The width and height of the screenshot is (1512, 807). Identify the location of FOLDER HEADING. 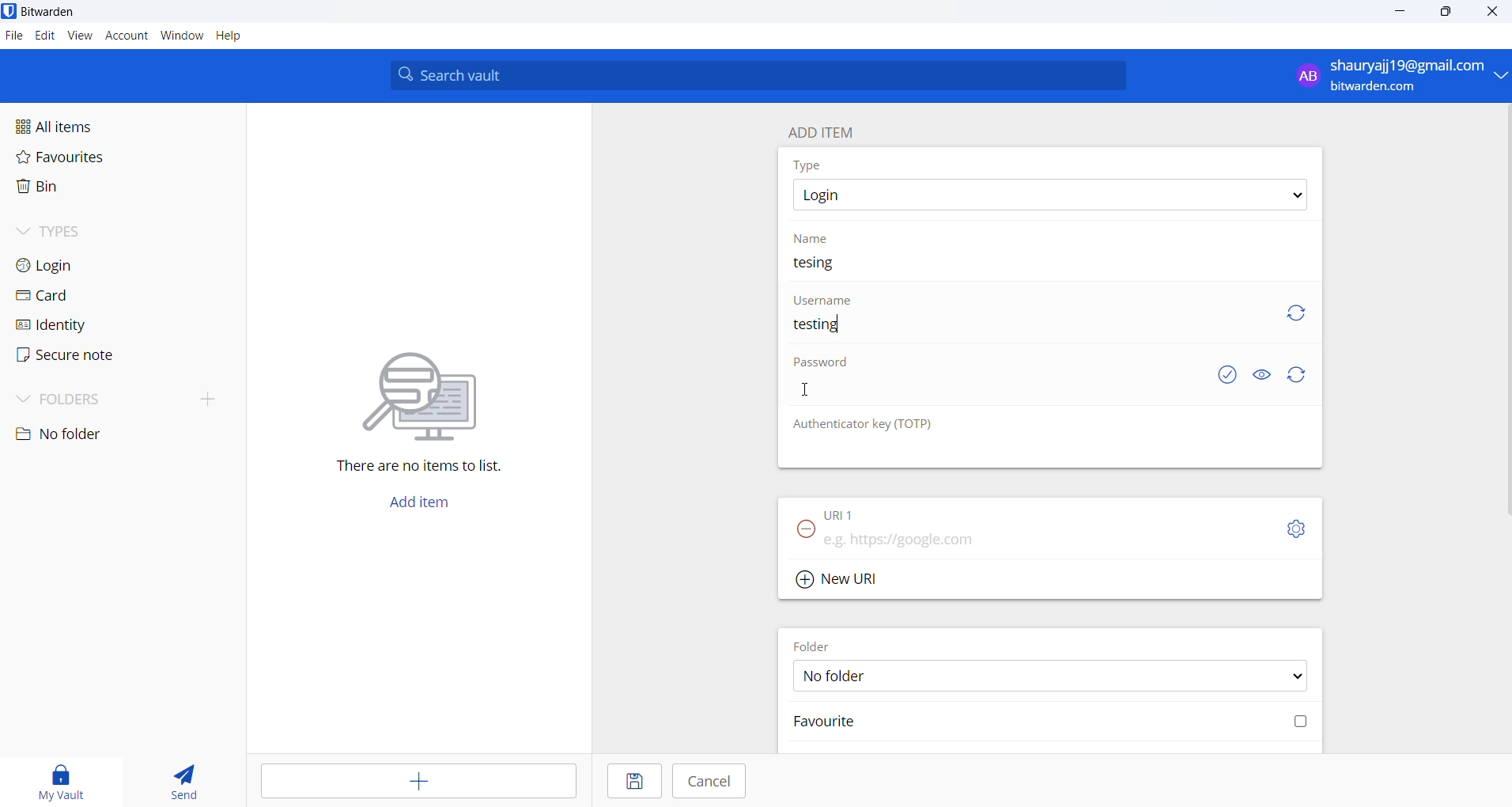
(819, 643).